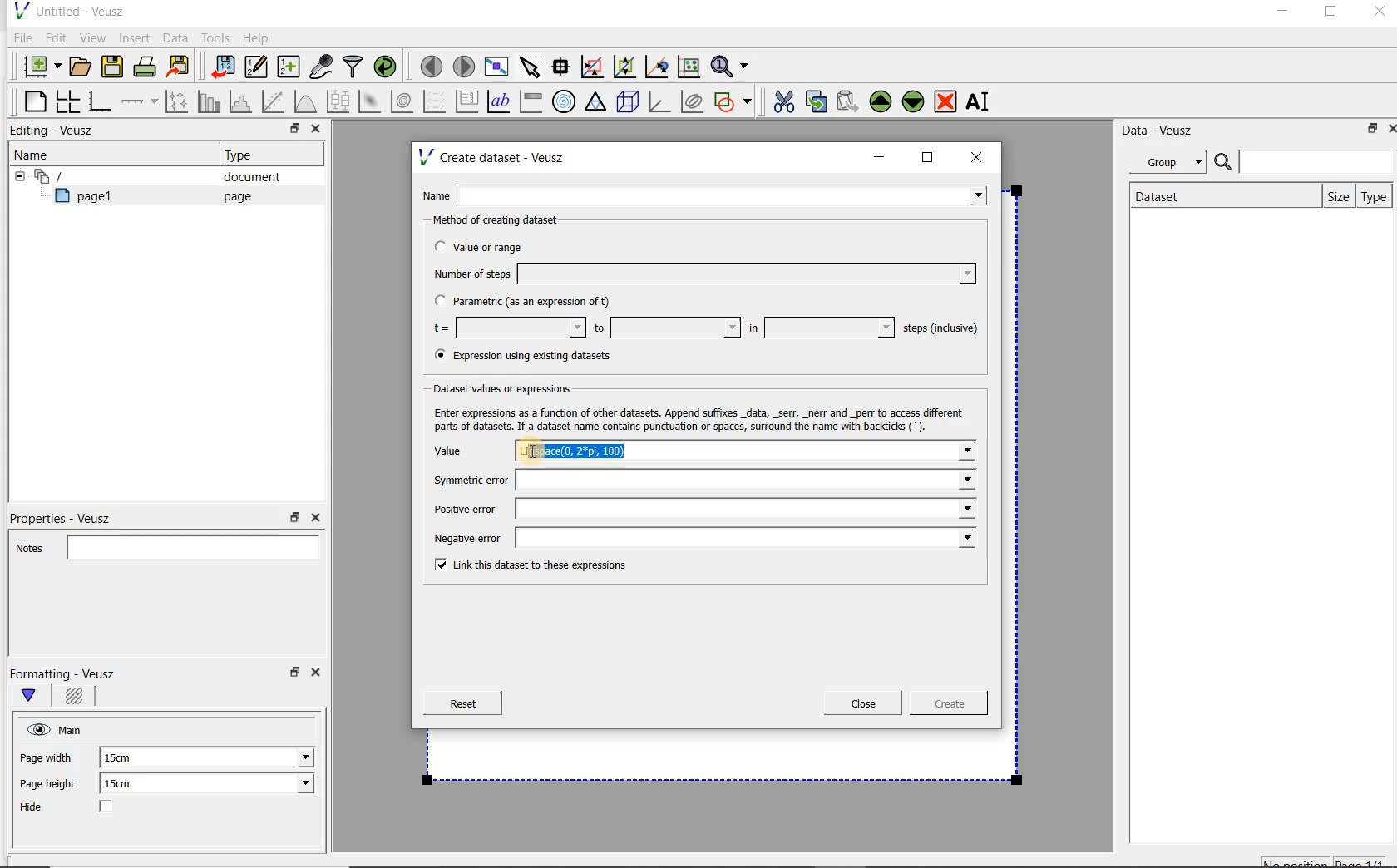  What do you see at coordinates (941, 329) in the screenshot?
I see `steps (inclusive)` at bounding box center [941, 329].